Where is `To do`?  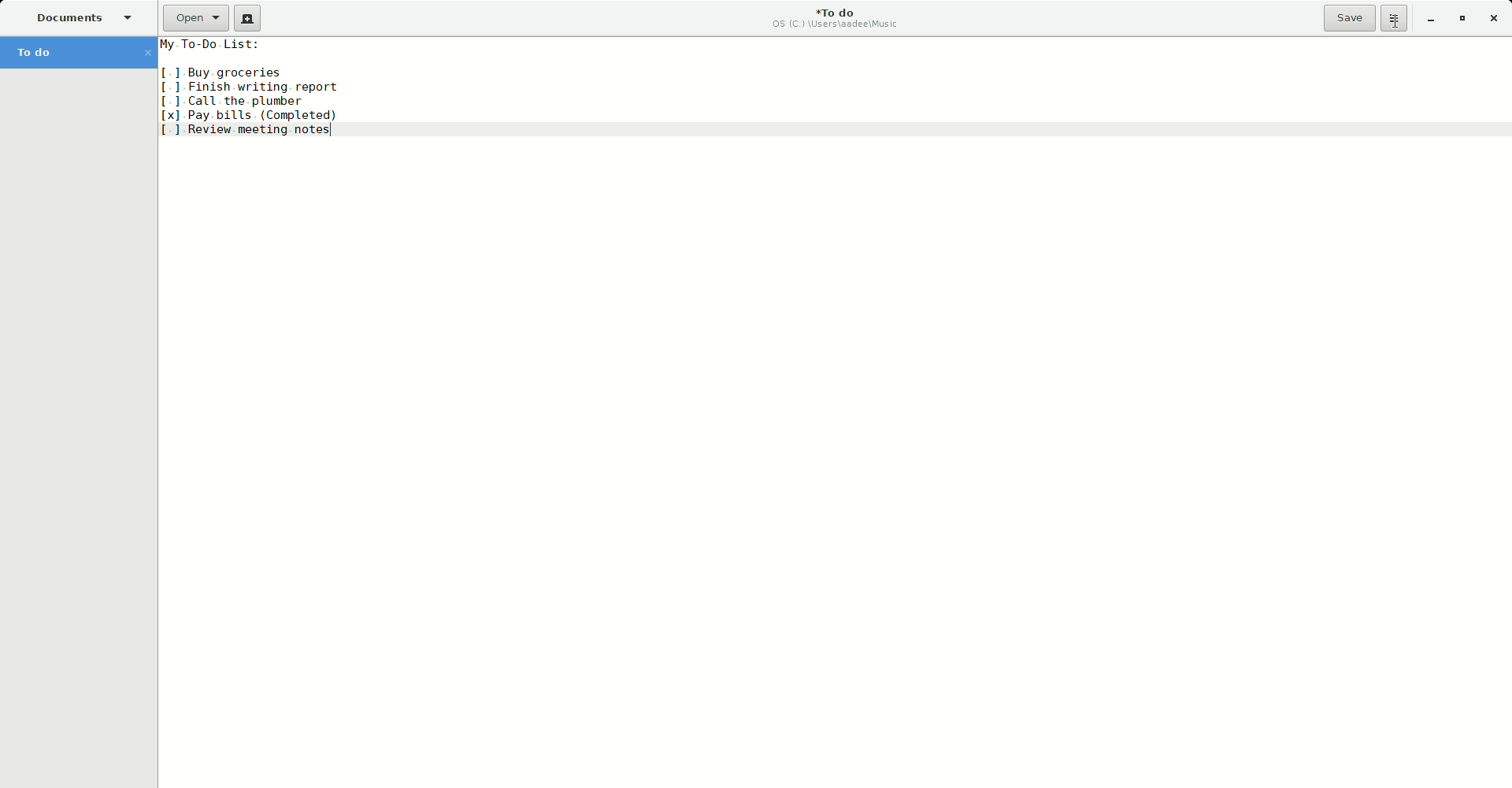 To do is located at coordinates (76, 52).